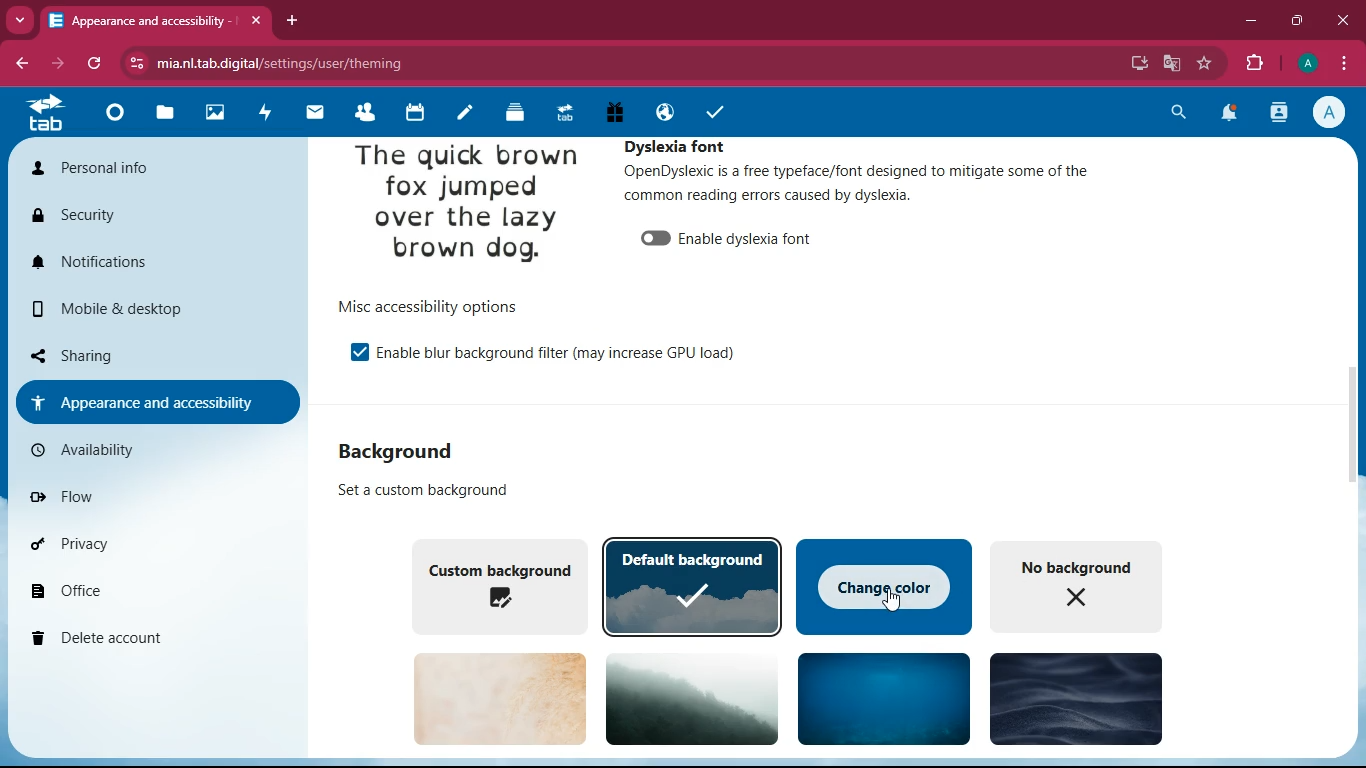 This screenshot has height=768, width=1366. Describe the element at coordinates (442, 306) in the screenshot. I see `more accessibility options` at that location.